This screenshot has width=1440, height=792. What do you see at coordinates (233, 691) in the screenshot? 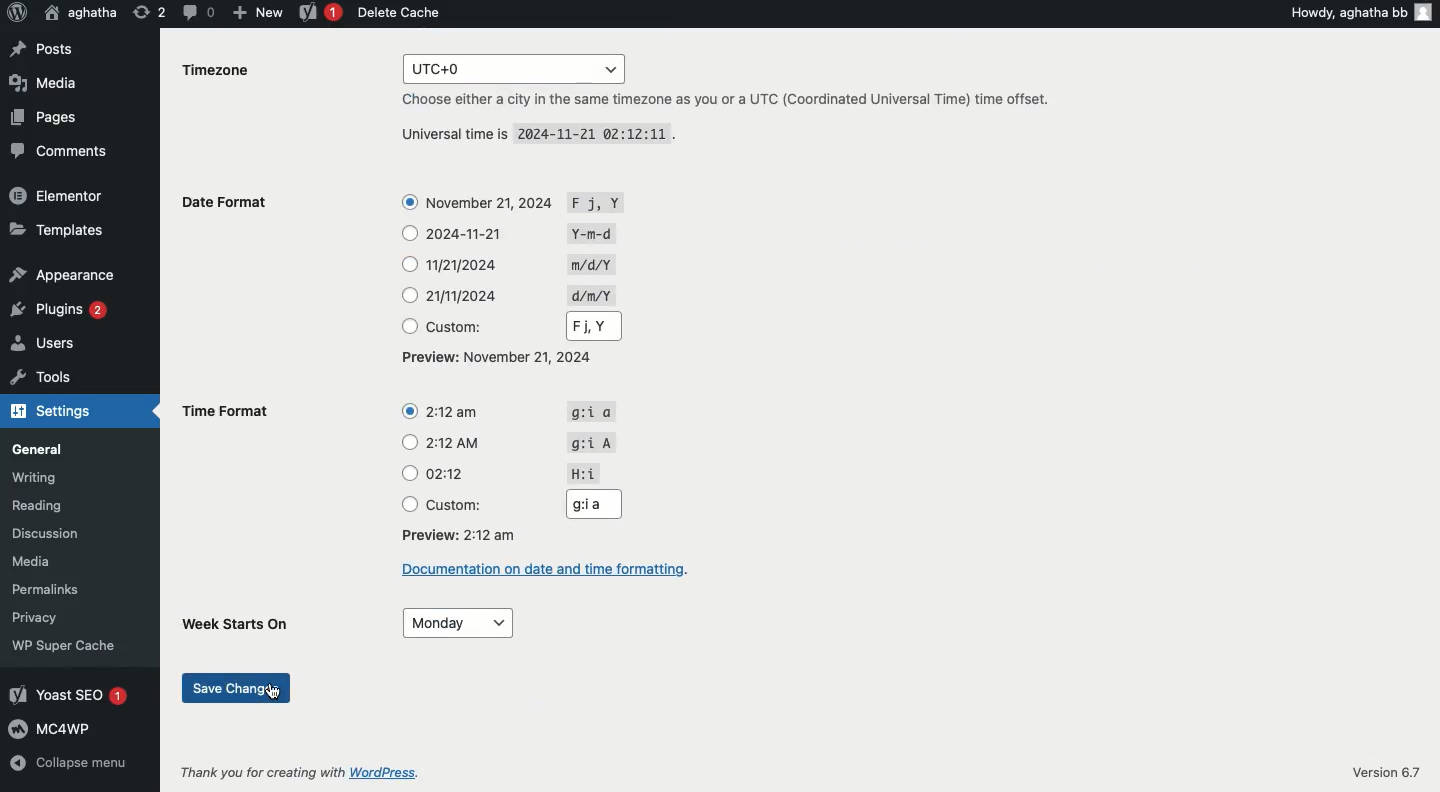
I see `Save changes` at bounding box center [233, 691].